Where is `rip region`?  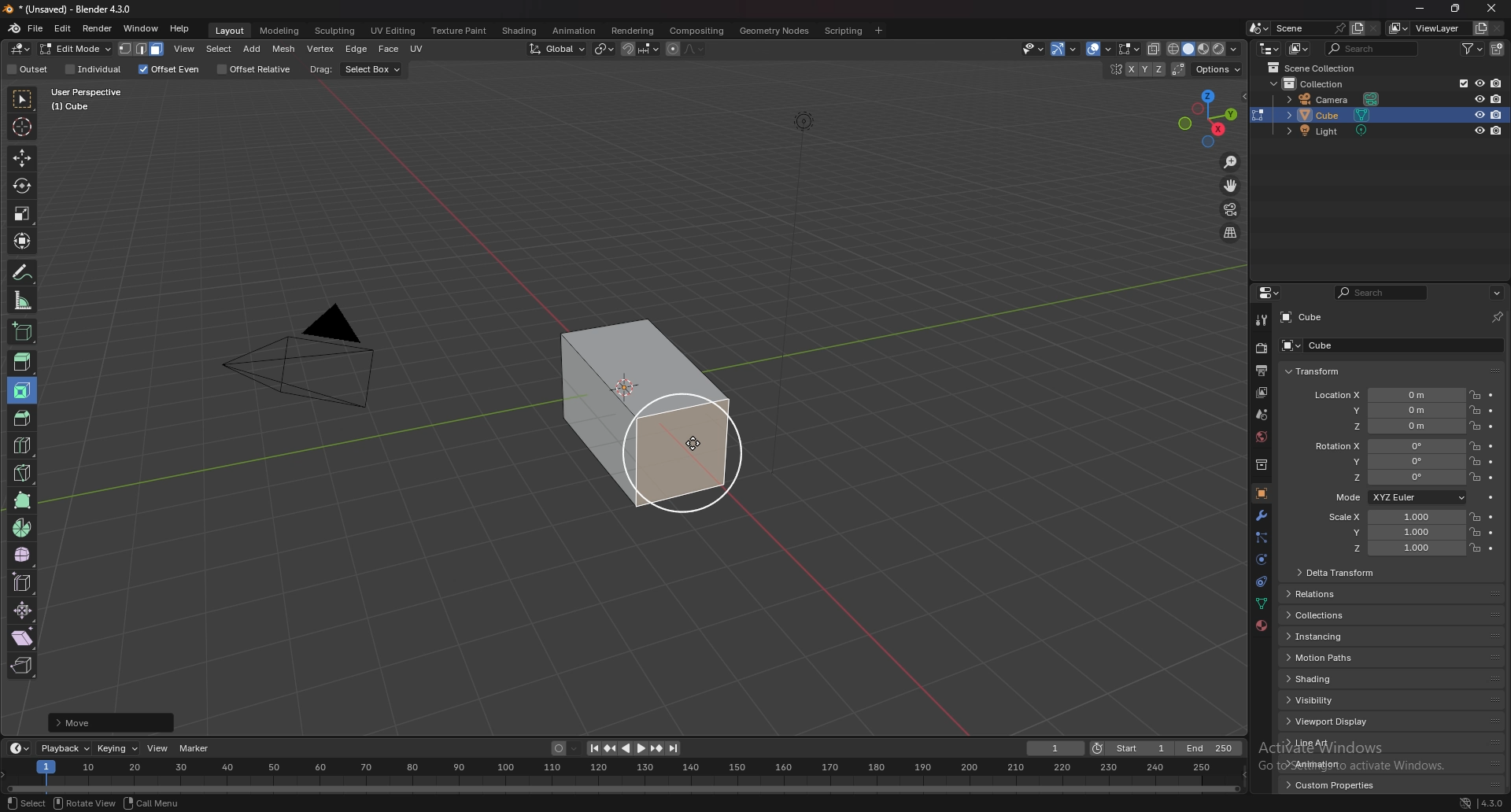 rip region is located at coordinates (21, 666).